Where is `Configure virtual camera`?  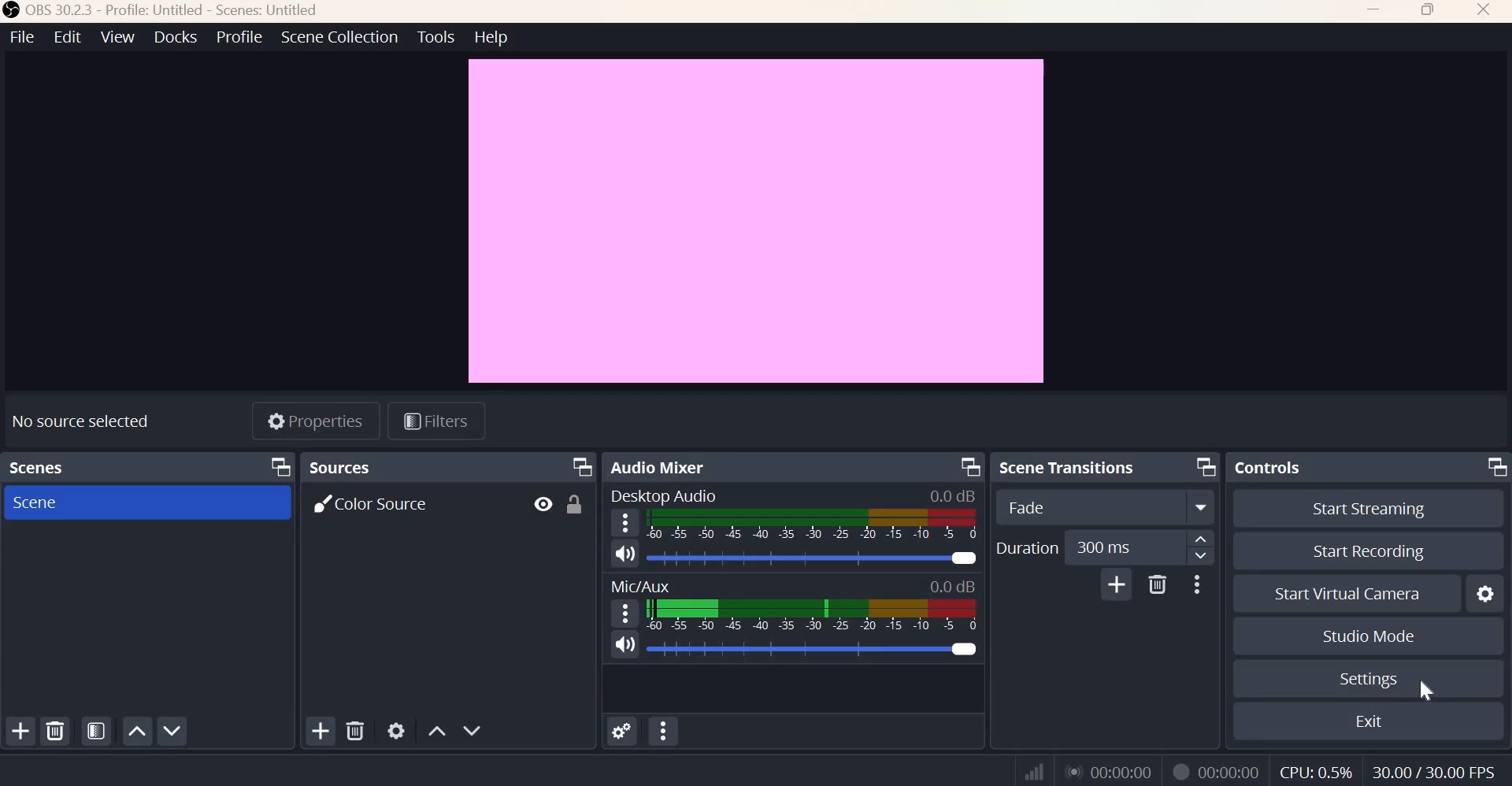 Configure virtual camera is located at coordinates (1486, 591).